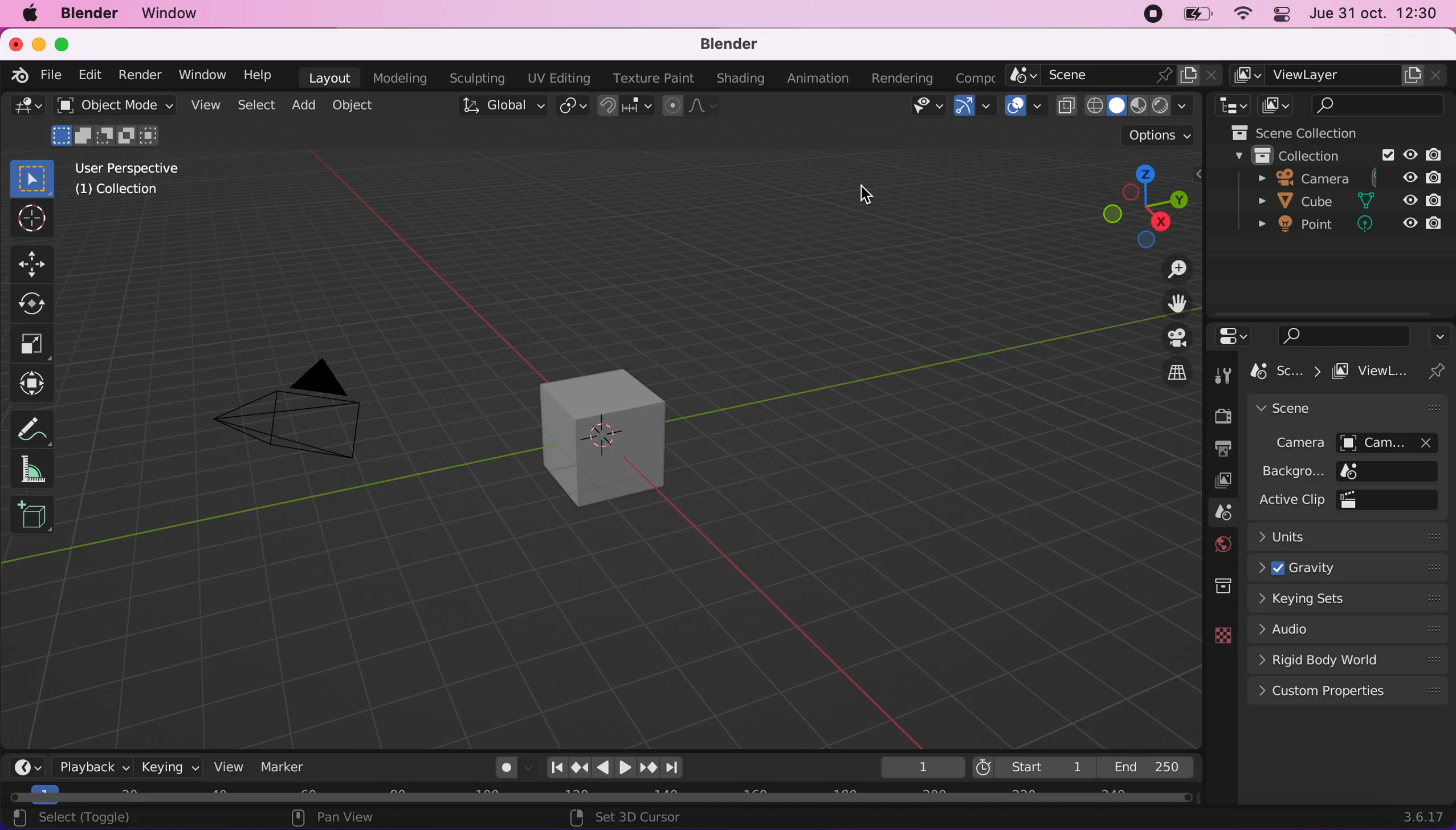 The image size is (1456, 830). Describe the element at coordinates (675, 766) in the screenshot. I see `Jump to endpoint` at that location.